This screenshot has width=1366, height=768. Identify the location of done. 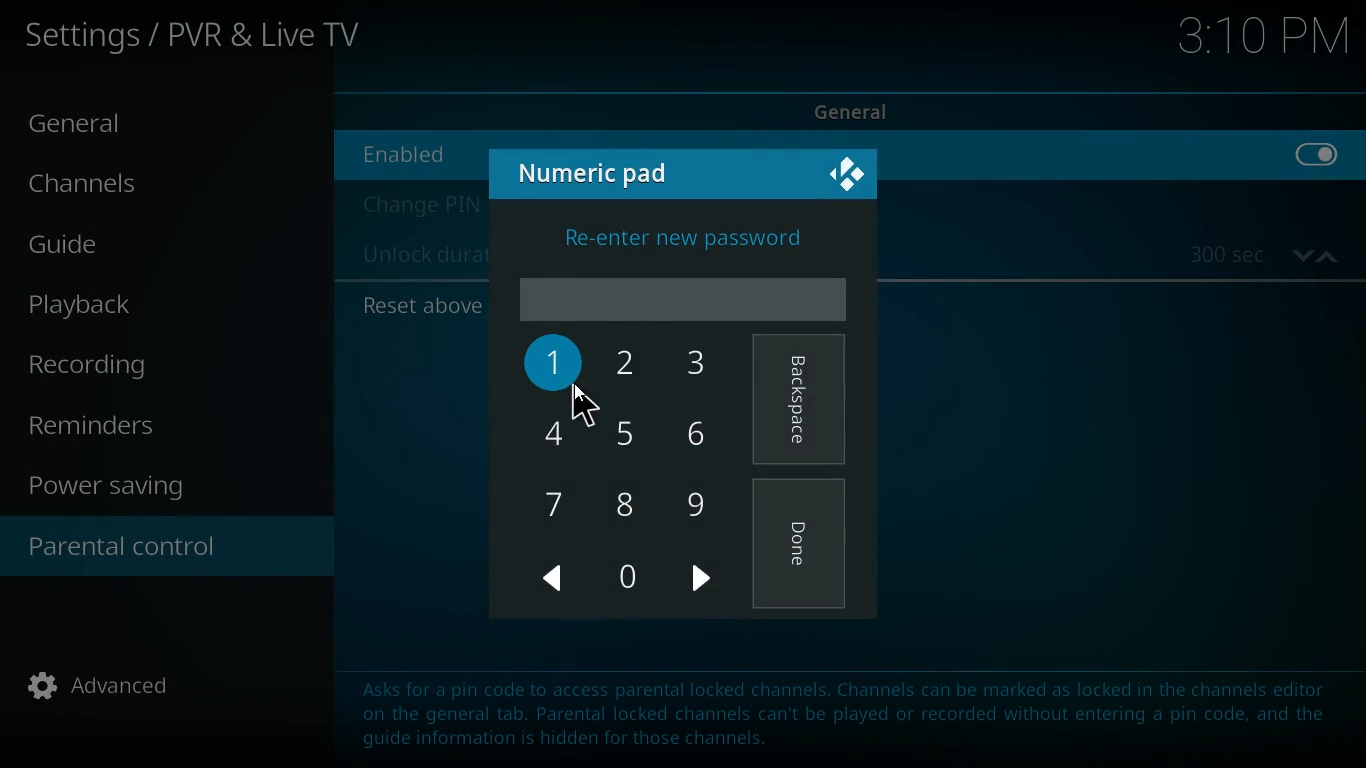
(801, 545).